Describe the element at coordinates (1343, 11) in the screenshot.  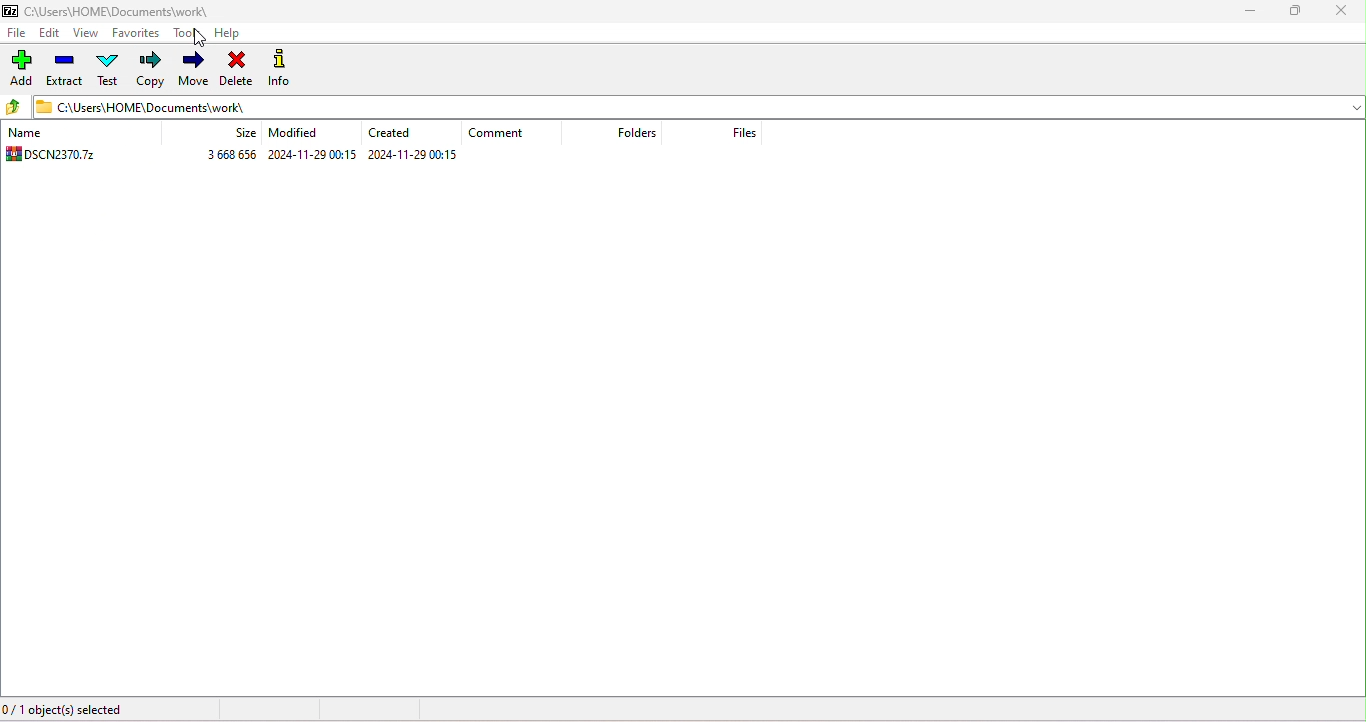
I see `close` at that location.